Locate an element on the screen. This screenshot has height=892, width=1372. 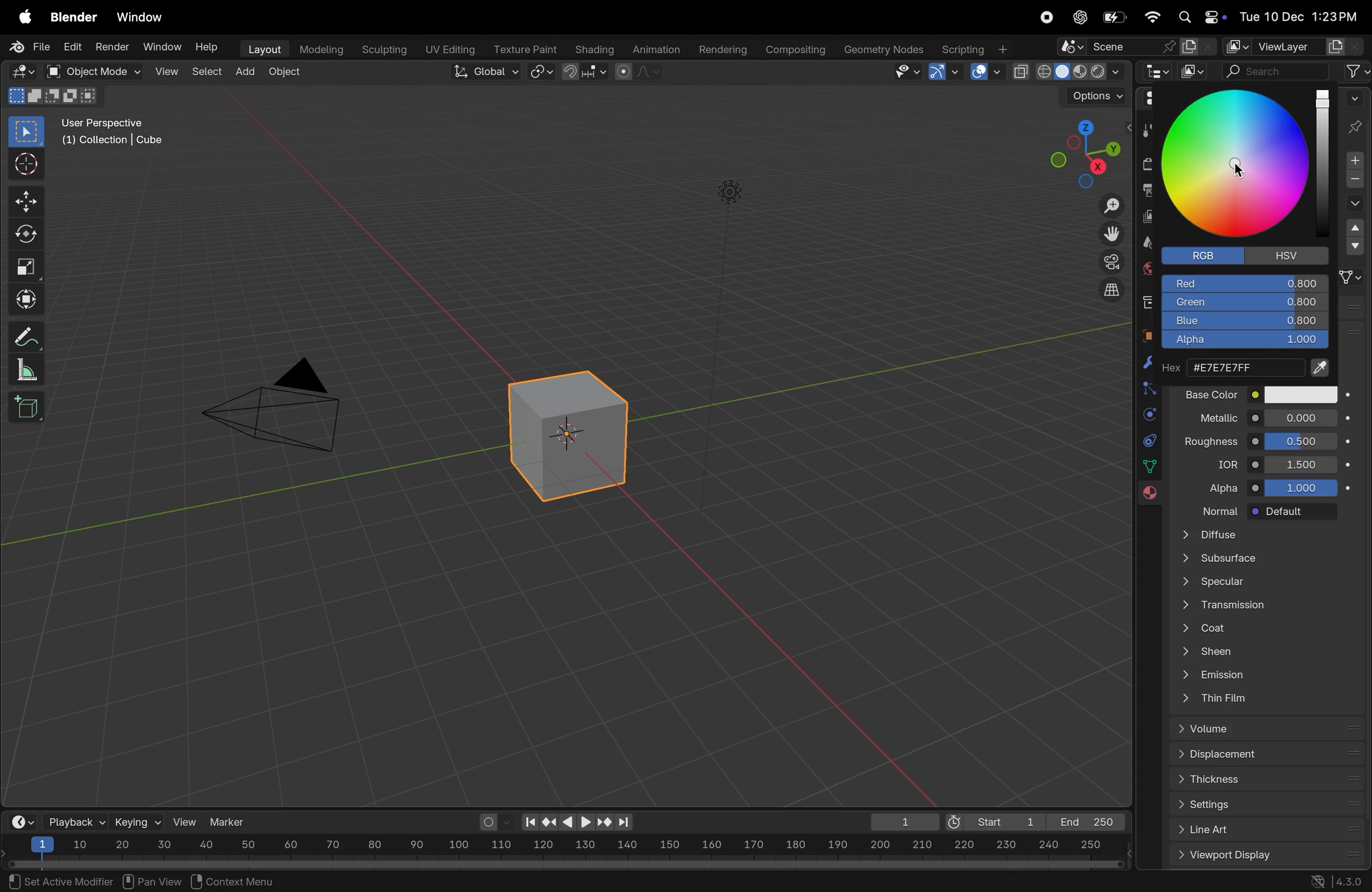
normal is located at coordinates (1213, 510).